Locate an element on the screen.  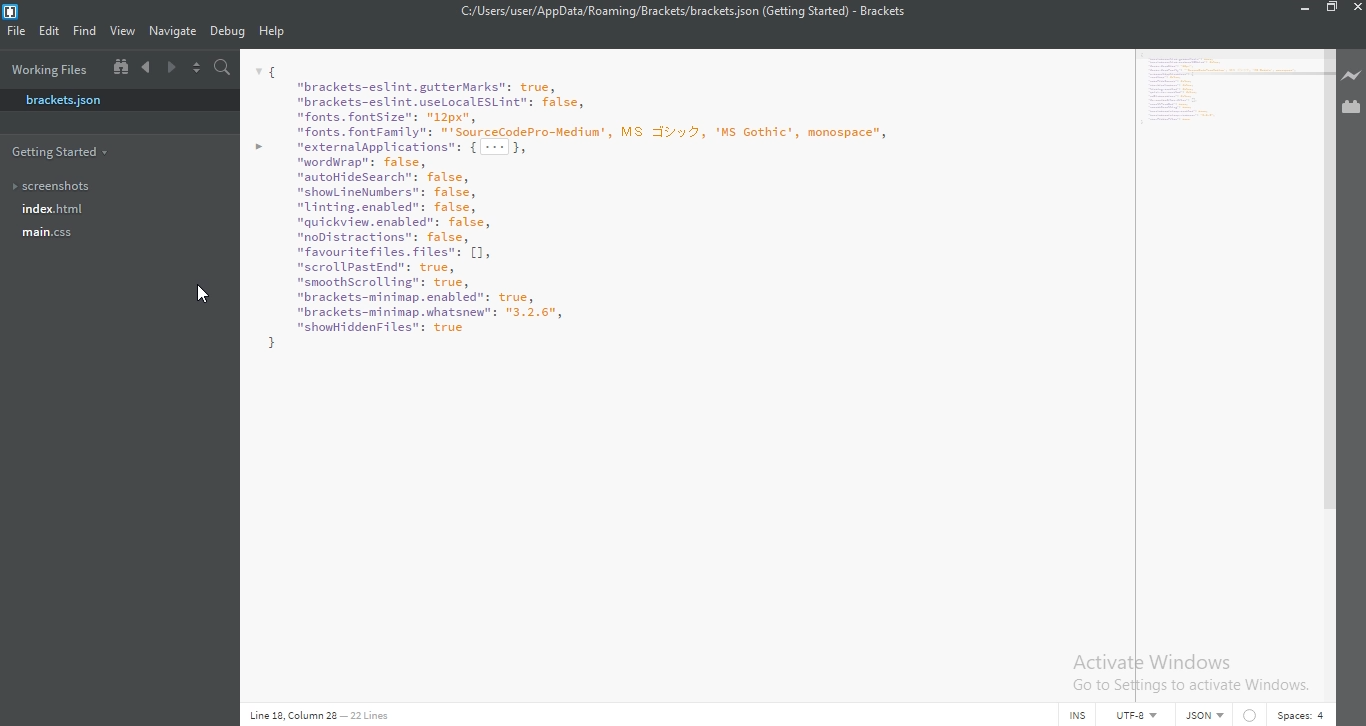
INS is located at coordinates (1080, 716).